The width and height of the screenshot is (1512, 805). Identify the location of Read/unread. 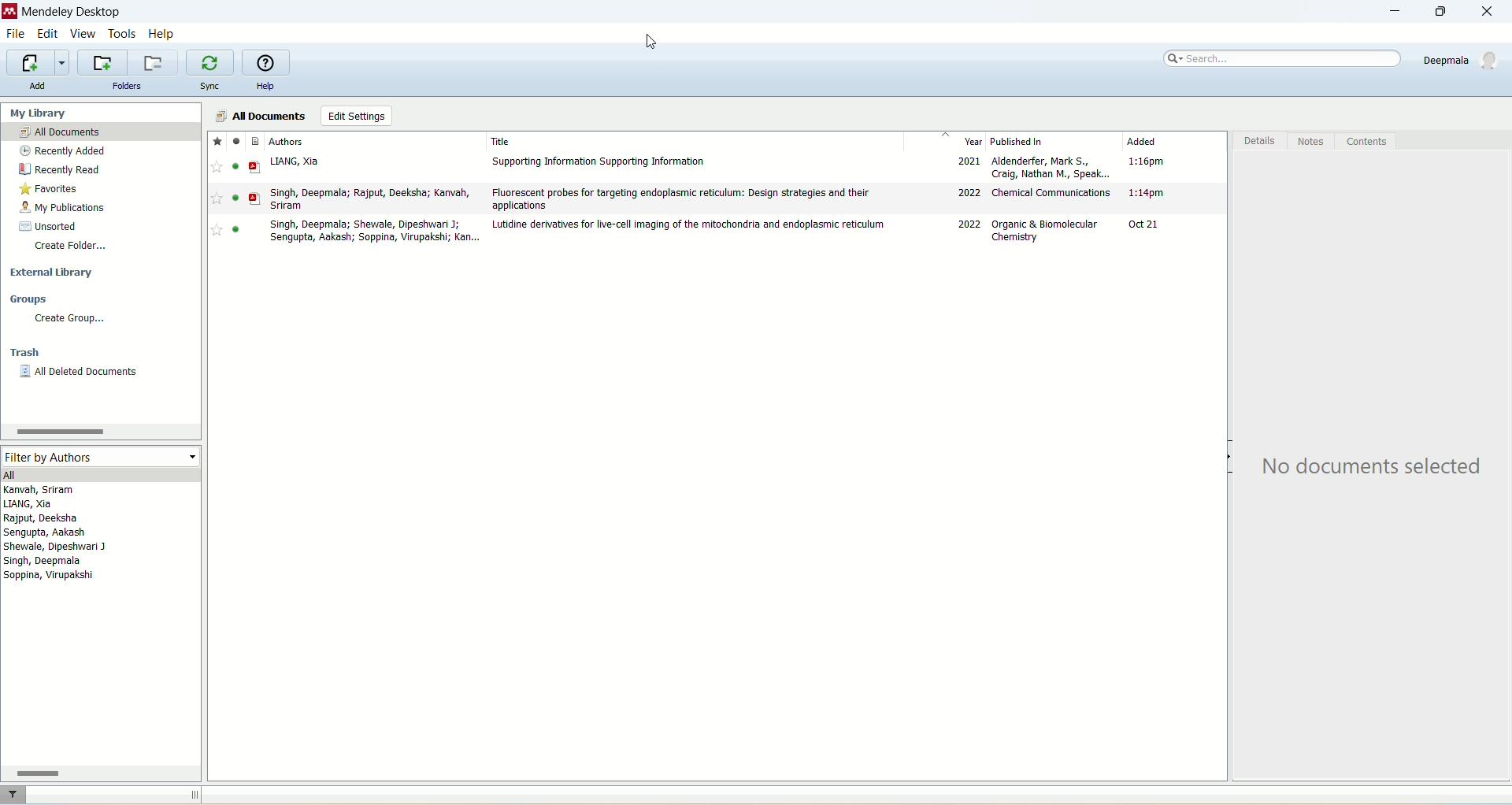
(242, 141).